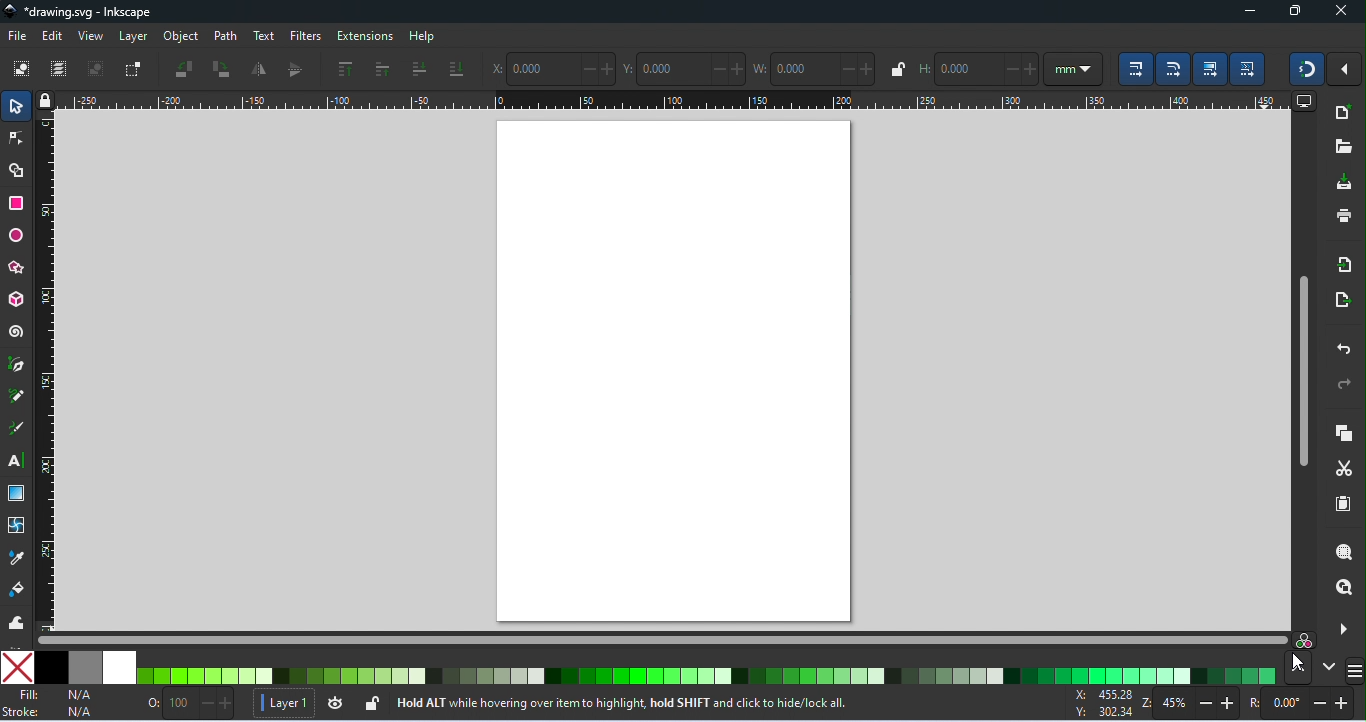 The height and width of the screenshot is (722, 1366). Describe the element at coordinates (131, 37) in the screenshot. I see `layer` at that location.